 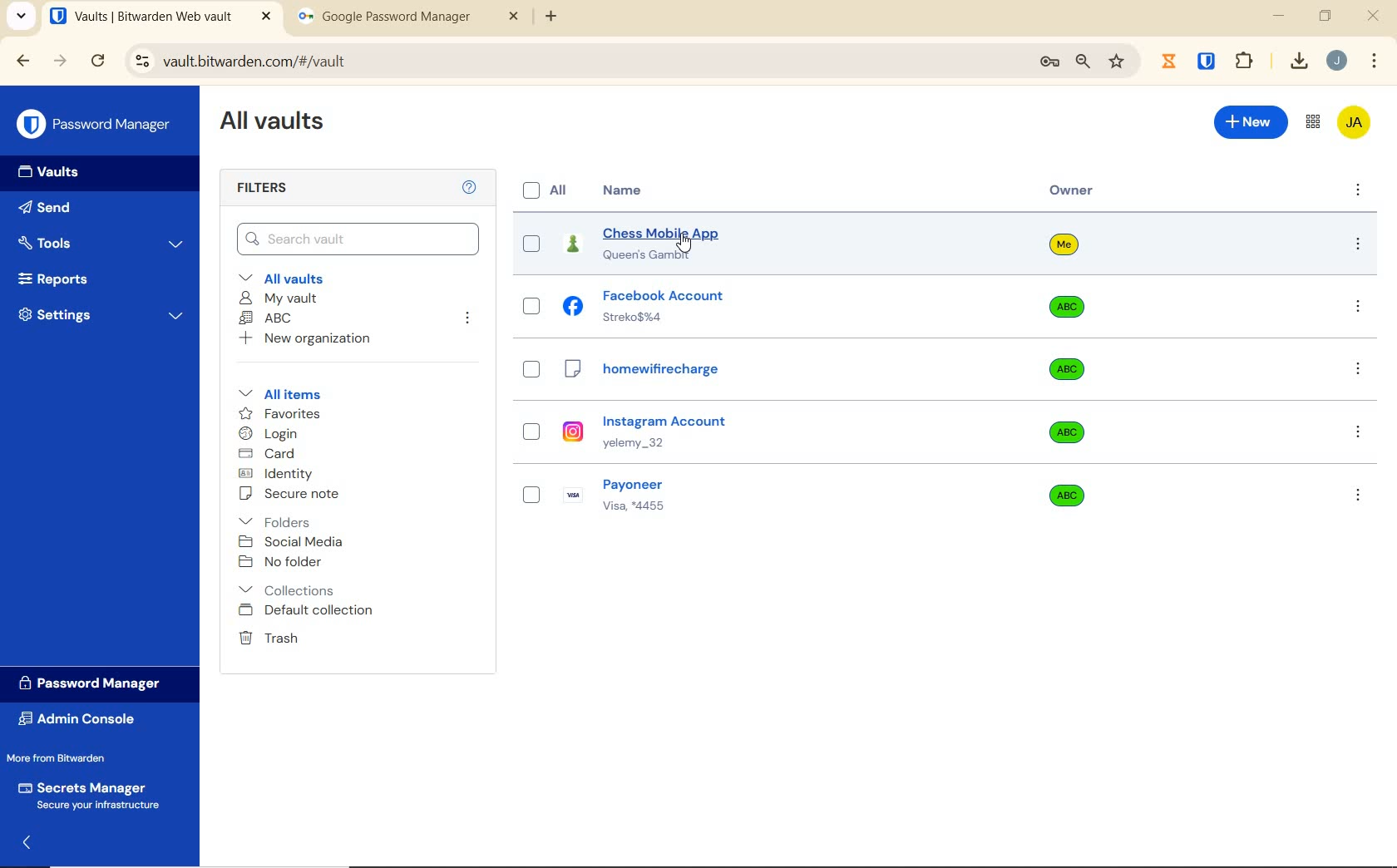 I want to click on Admin Console, so click(x=86, y=721).